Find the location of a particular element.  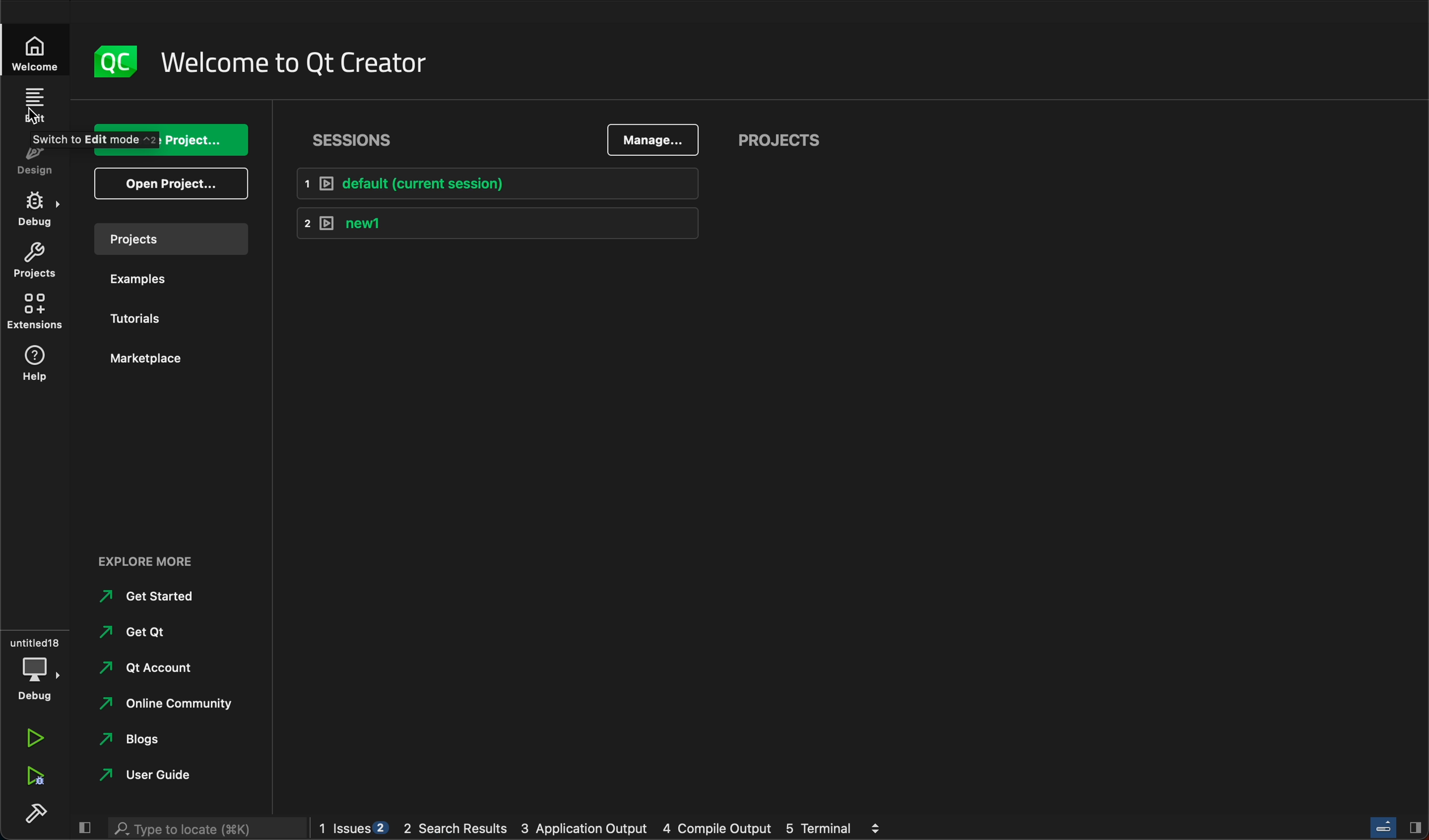

online is located at coordinates (173, 702).